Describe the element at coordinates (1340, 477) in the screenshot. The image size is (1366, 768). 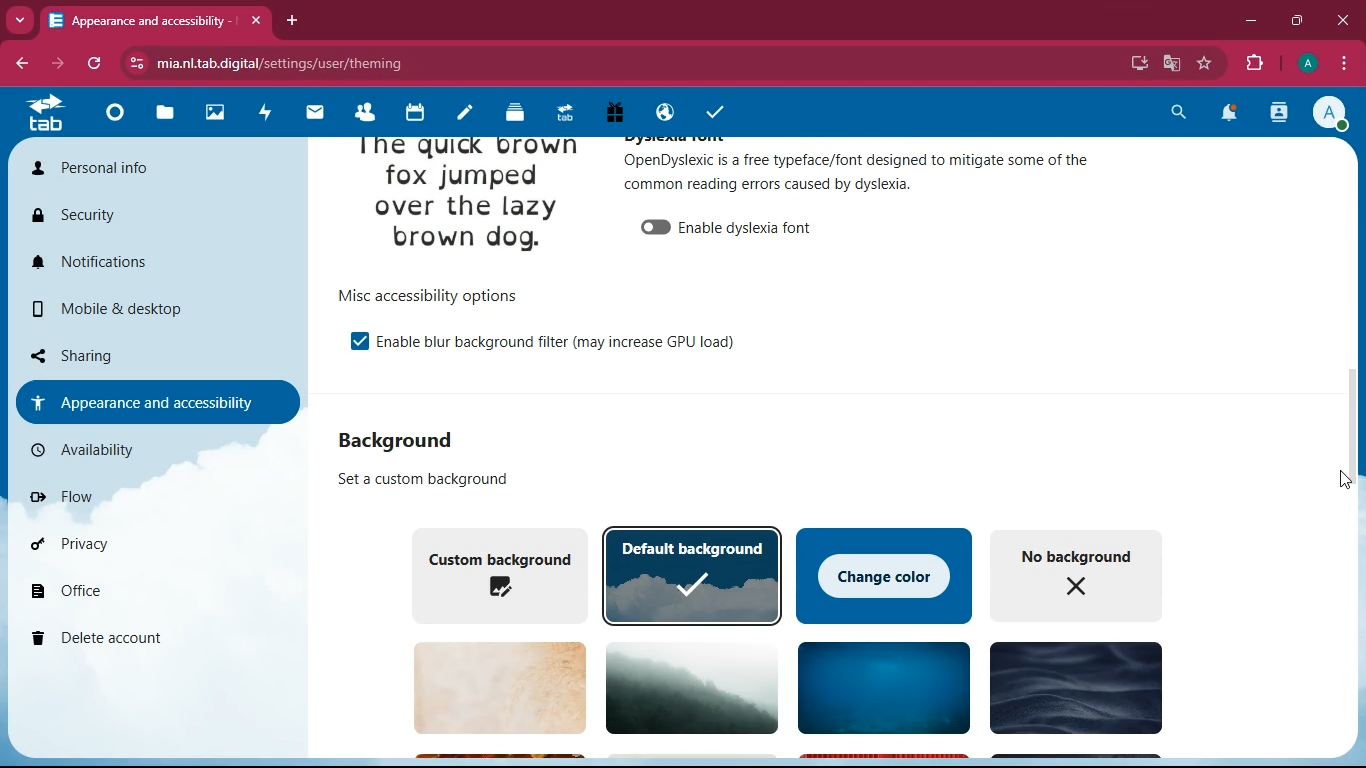
I see `cursor` at that location.